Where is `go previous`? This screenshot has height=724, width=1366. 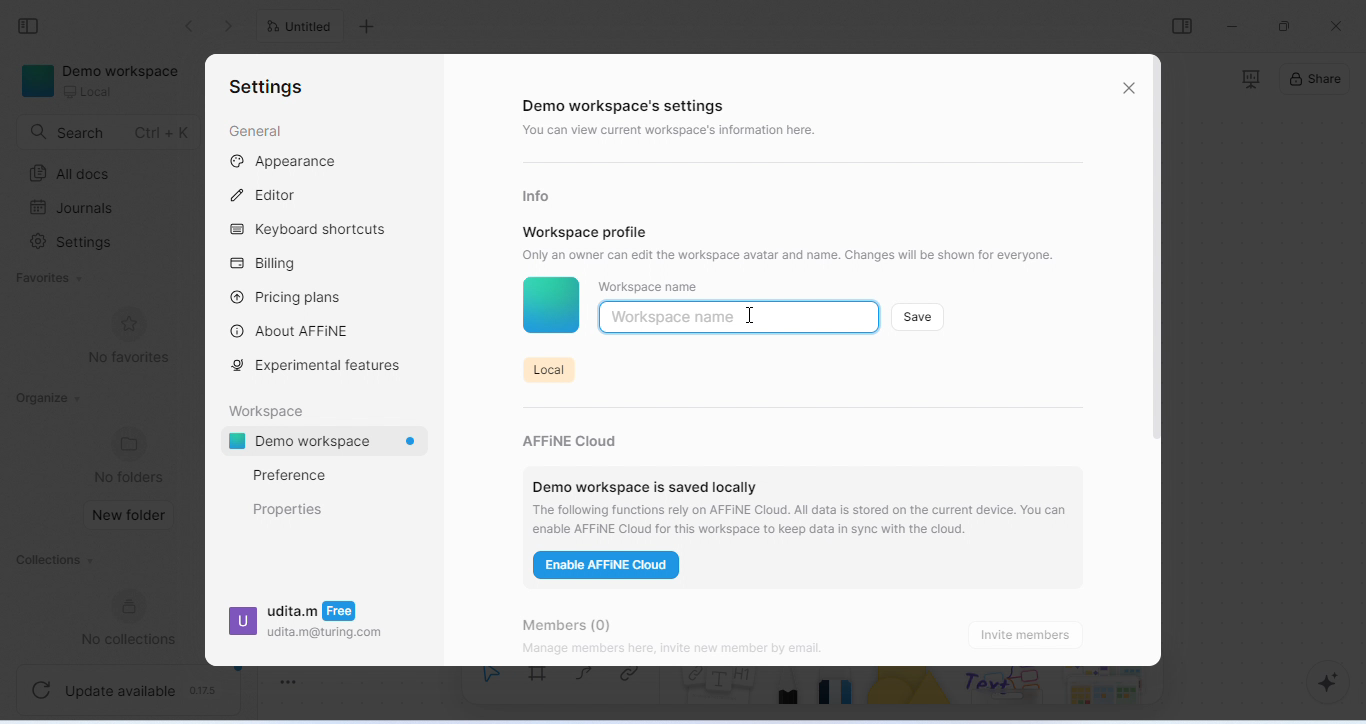 go previous is located at coordinates (232, 26).